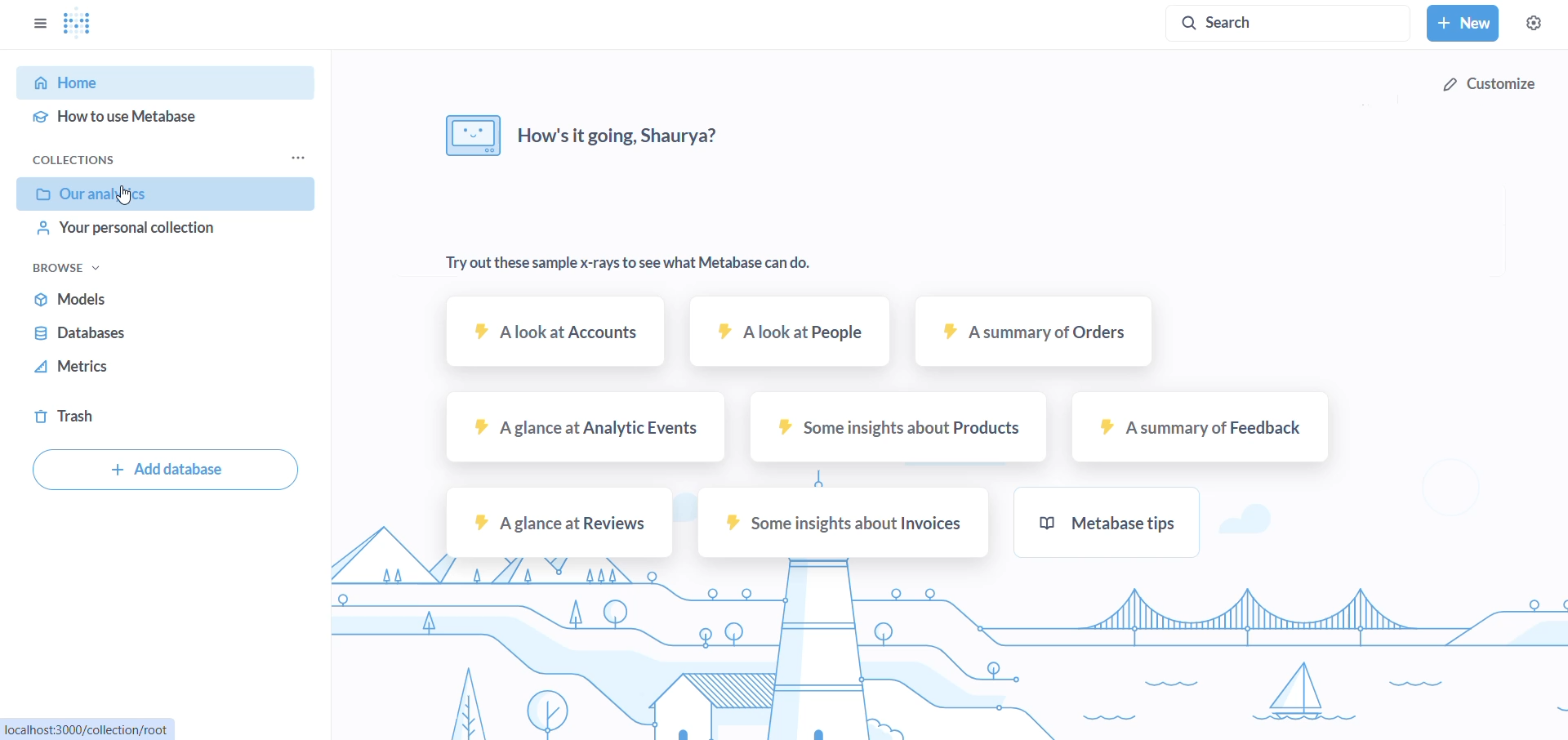  I want to click on some insights about invoices sample, so click(840, 525).